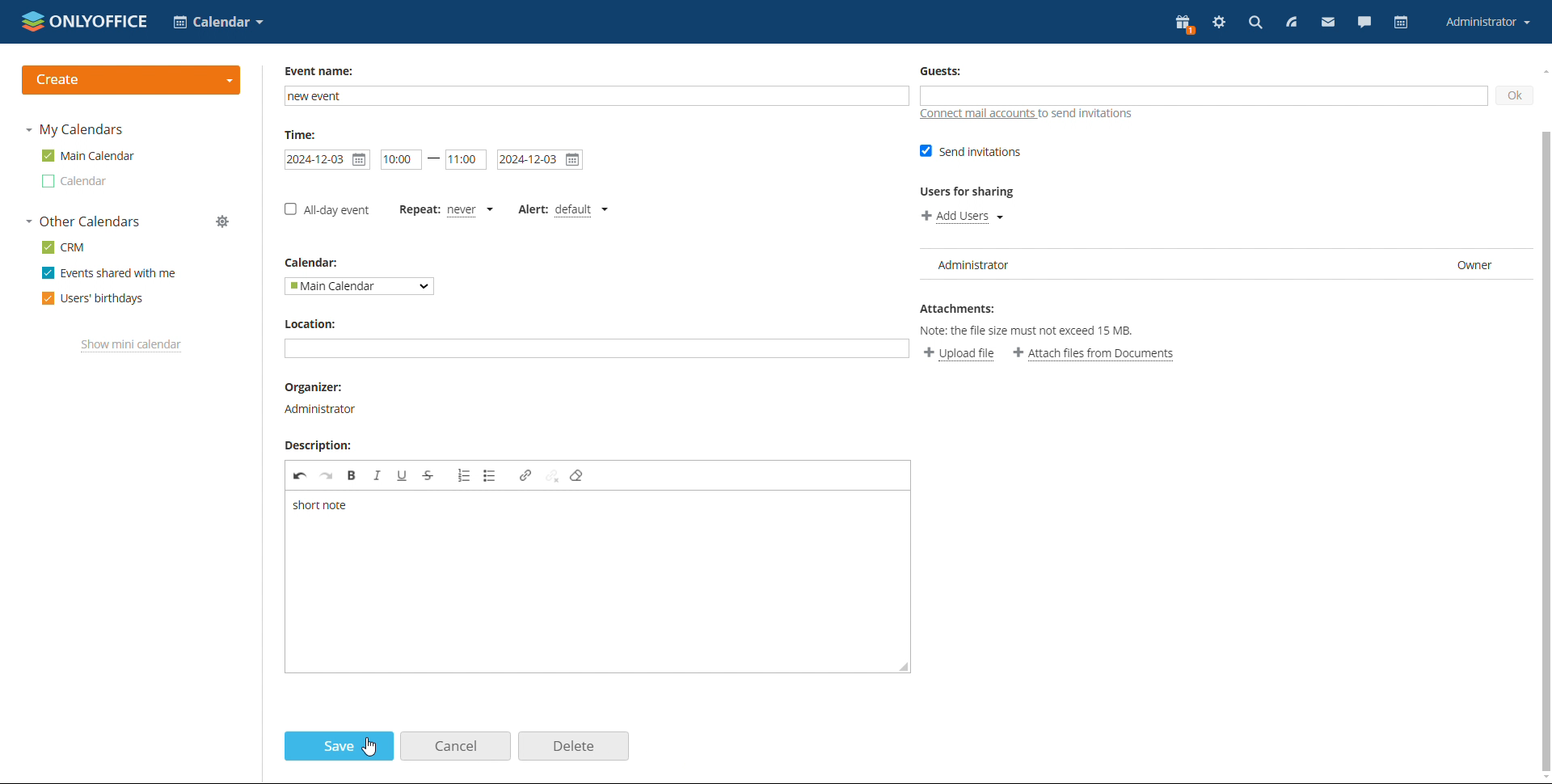  I want to click on other calendars, so click(84, 221).